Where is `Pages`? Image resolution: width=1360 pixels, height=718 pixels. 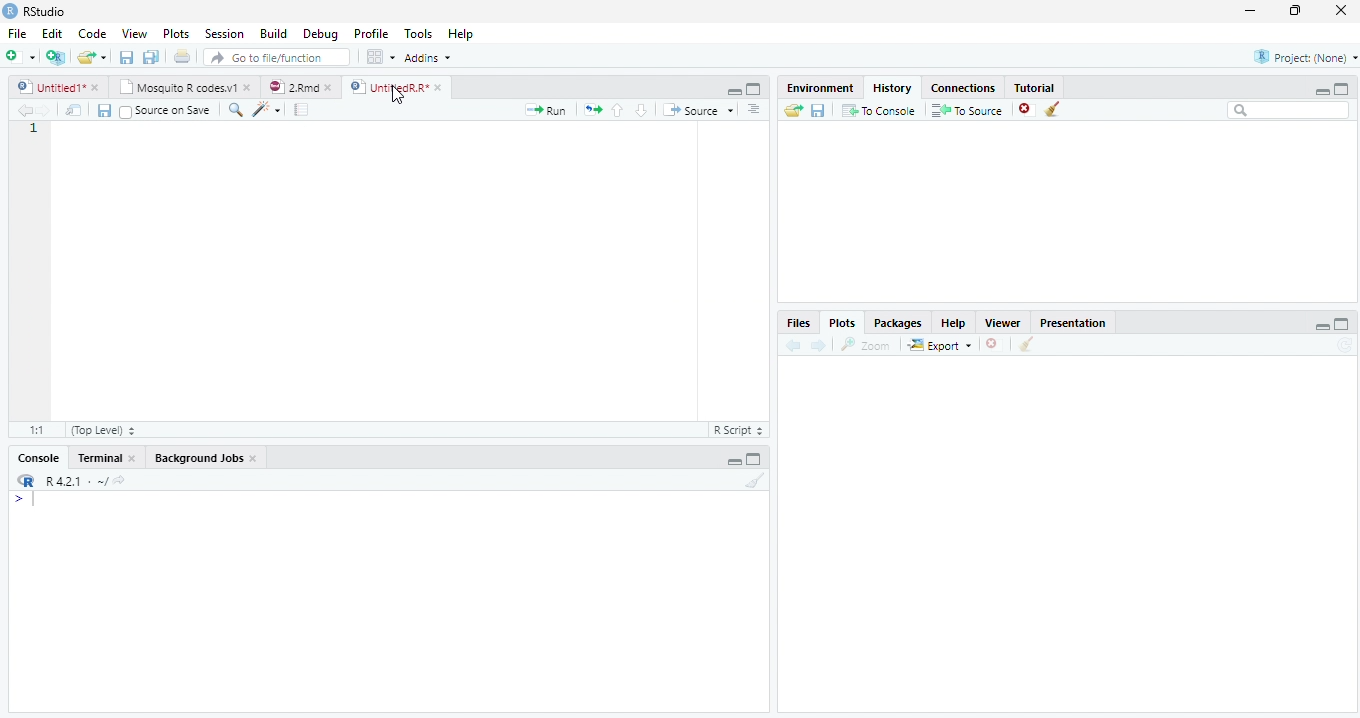
Pages is located at coordinates (301, 110).